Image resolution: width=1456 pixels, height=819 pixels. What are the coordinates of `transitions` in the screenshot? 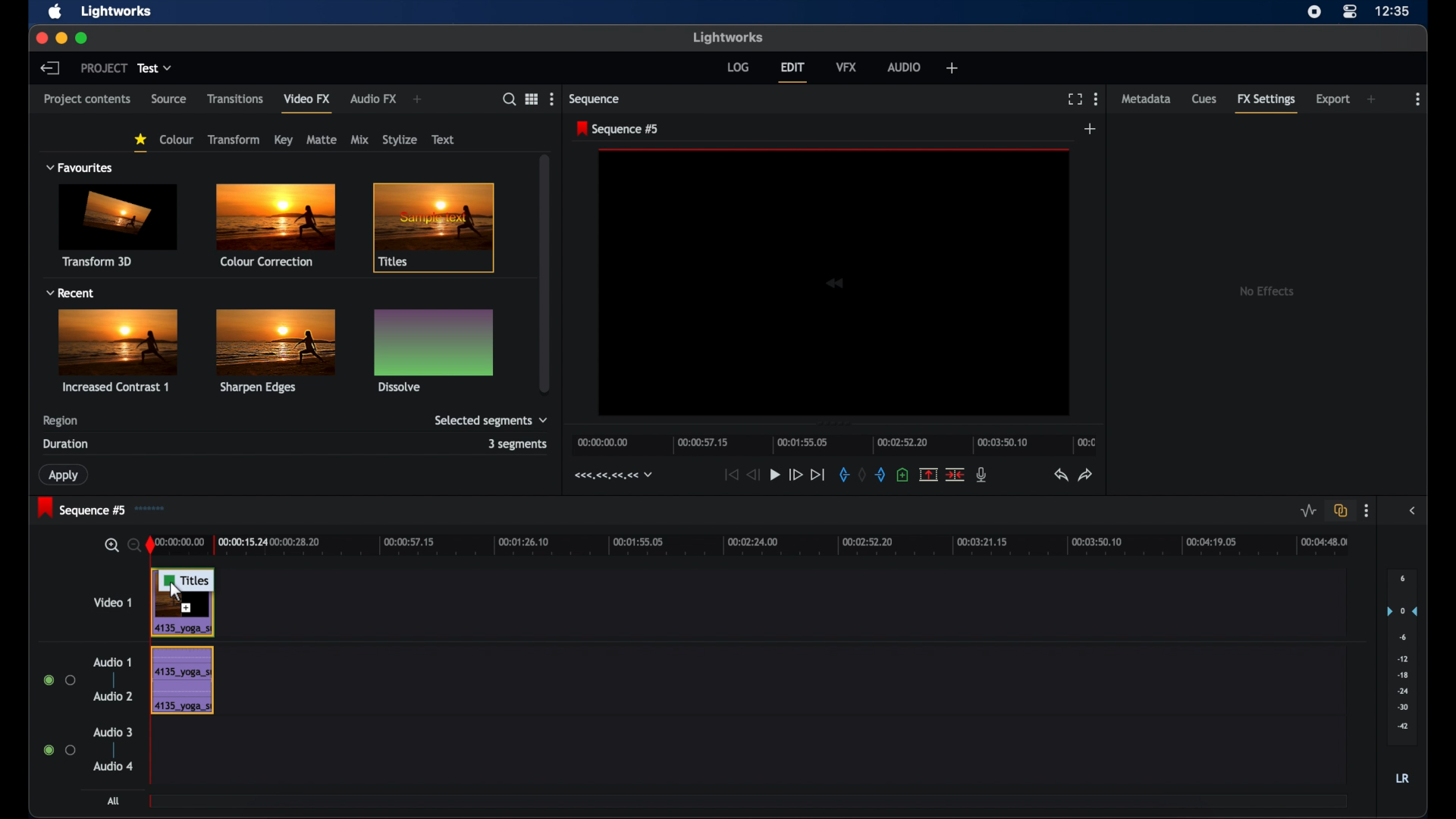 It's located at (236, 99).